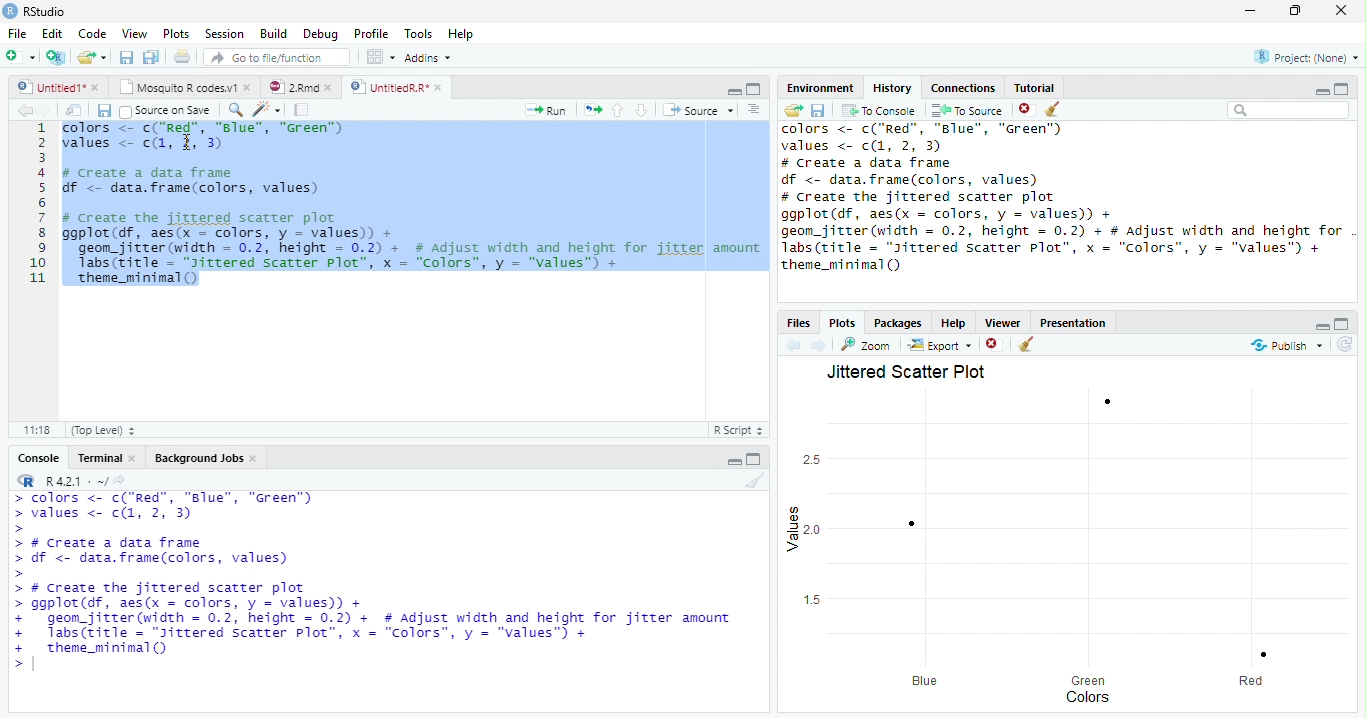 The width and height of the screenshot is (1366, 718). I want to click on Packages, so click(896, 322).